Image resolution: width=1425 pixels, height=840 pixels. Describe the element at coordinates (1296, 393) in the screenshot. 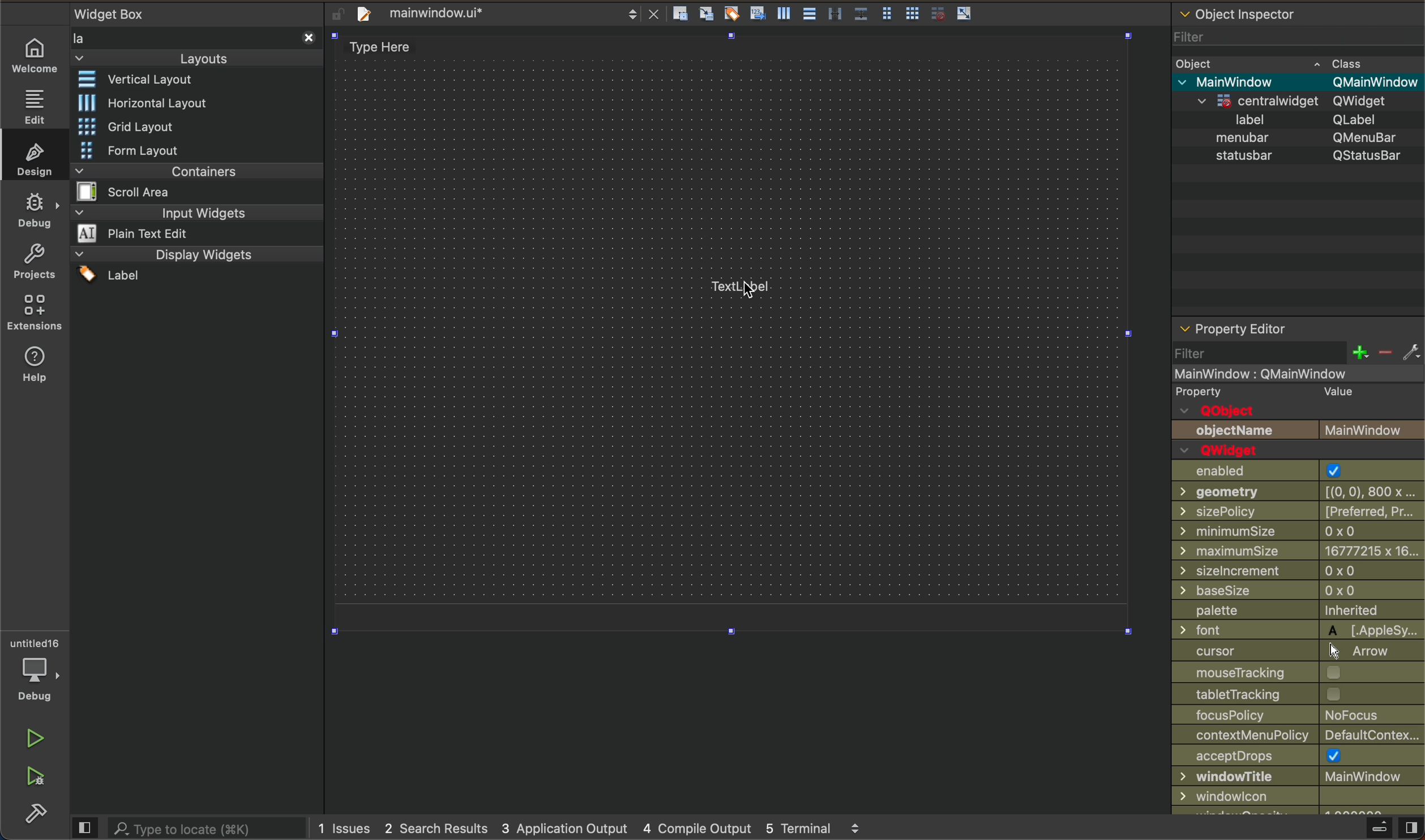

I see `property` at that location.